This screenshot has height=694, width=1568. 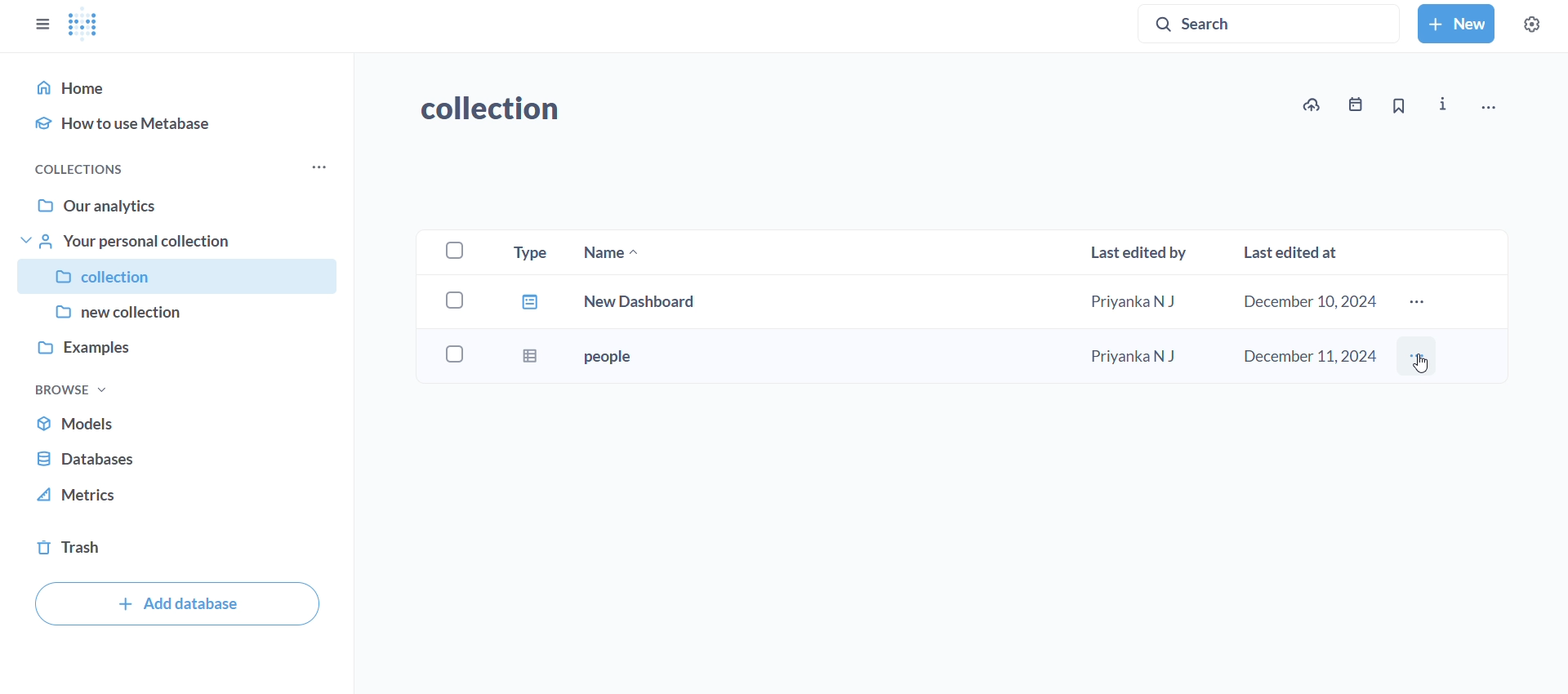 What do you see at coordinates (180, 242) in the screenshot?
I see `your personal collection` at bounding box center [180, 242].